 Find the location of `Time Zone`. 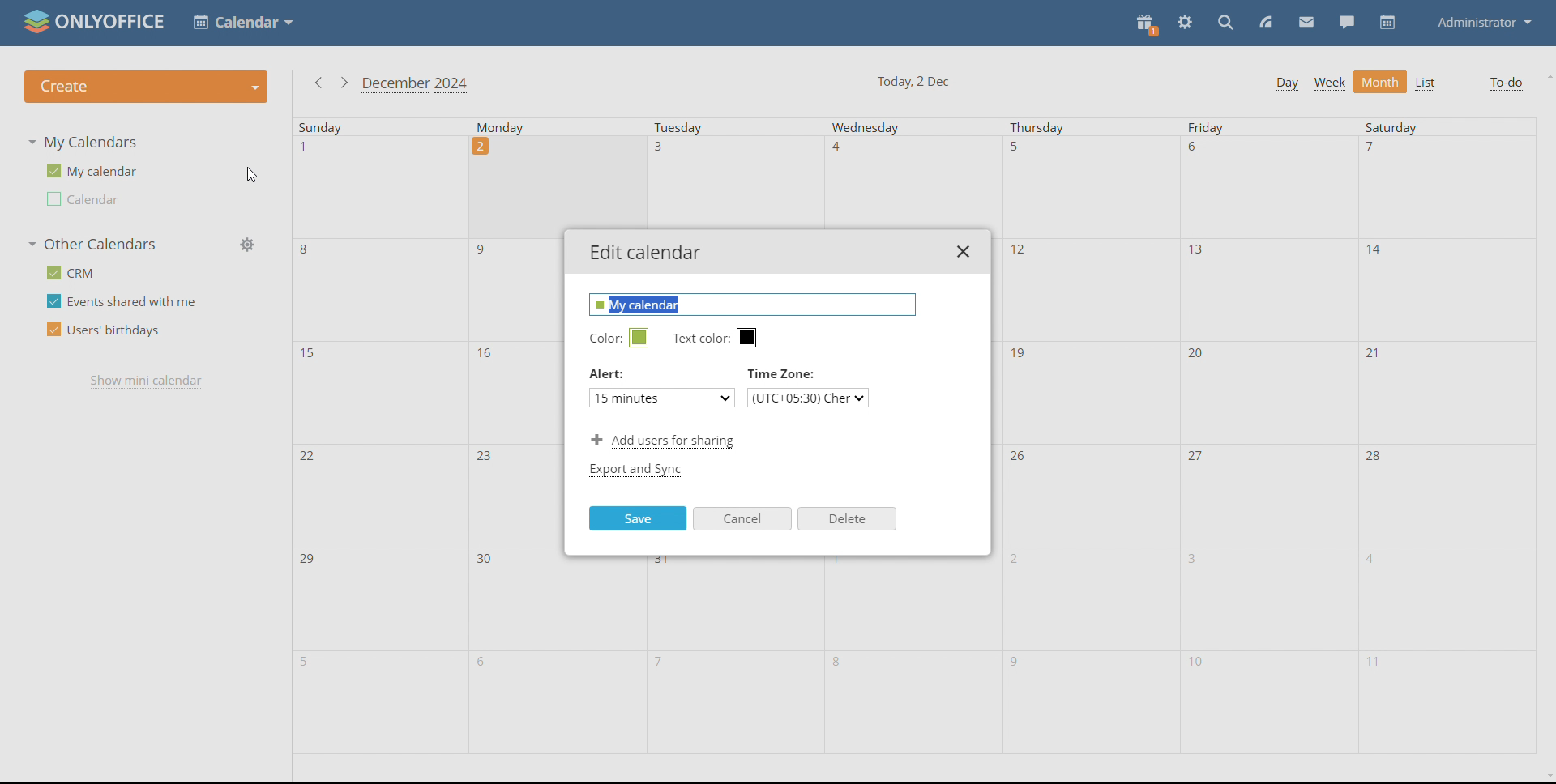

Time Zone is located at coordinates (776, 373).